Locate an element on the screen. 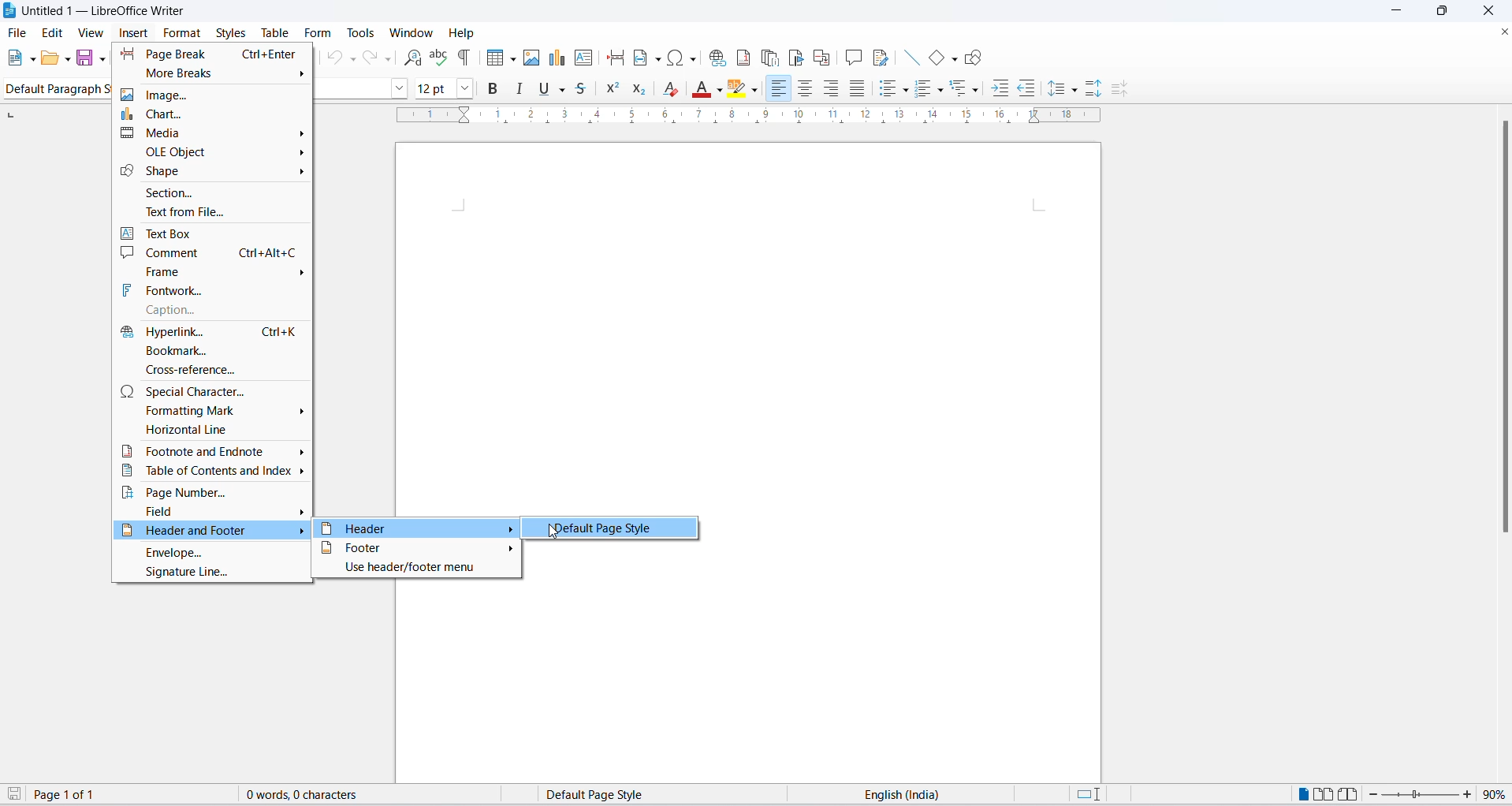 The image size is (1512, 806). table grid is located at coordinates (512, 59).